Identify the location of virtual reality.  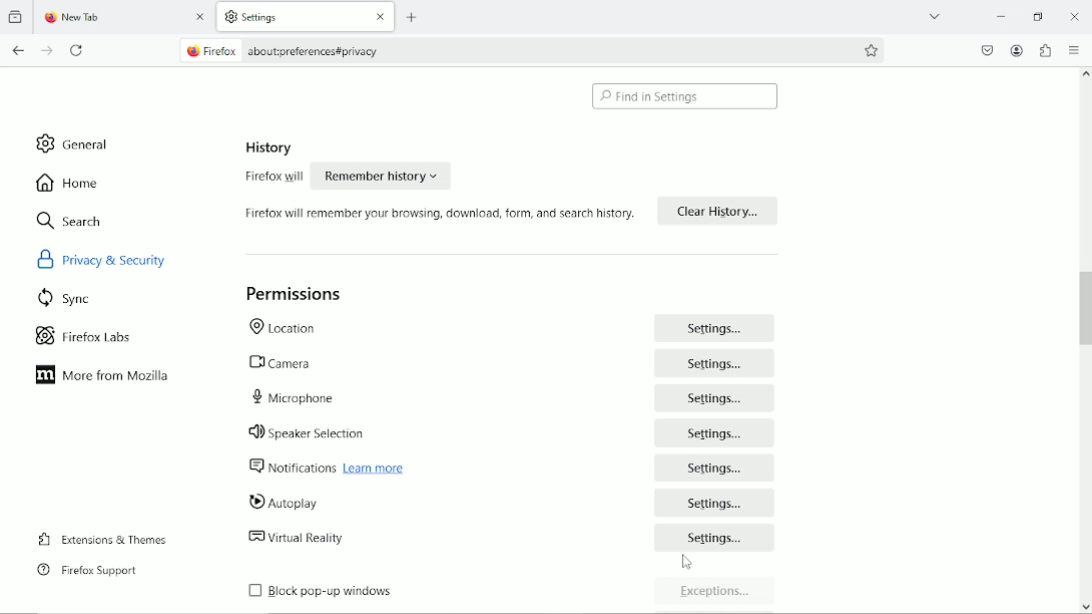
(396, 538).